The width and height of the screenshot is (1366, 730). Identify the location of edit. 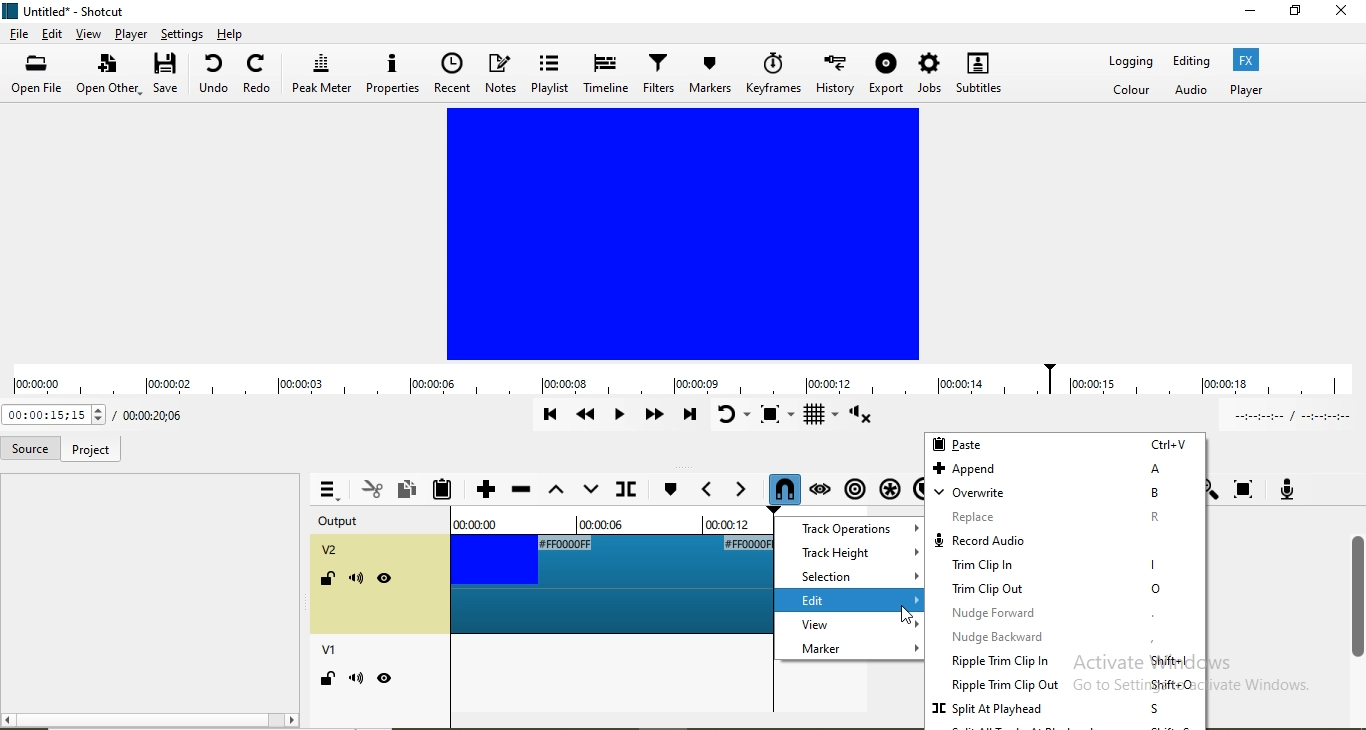
(853, 600).